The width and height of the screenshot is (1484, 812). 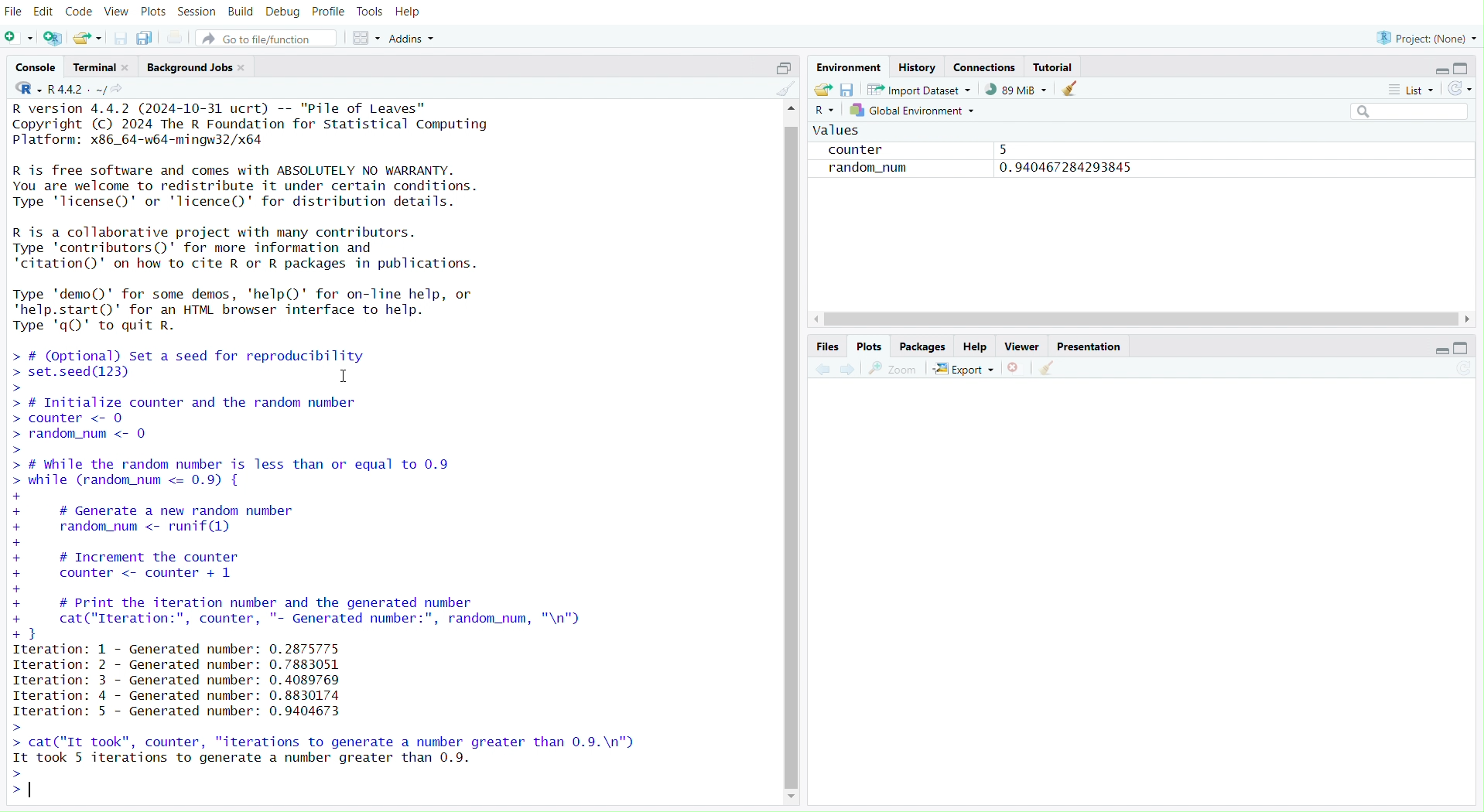 I want to click on Tutorial, so click(x=1055, y=67).